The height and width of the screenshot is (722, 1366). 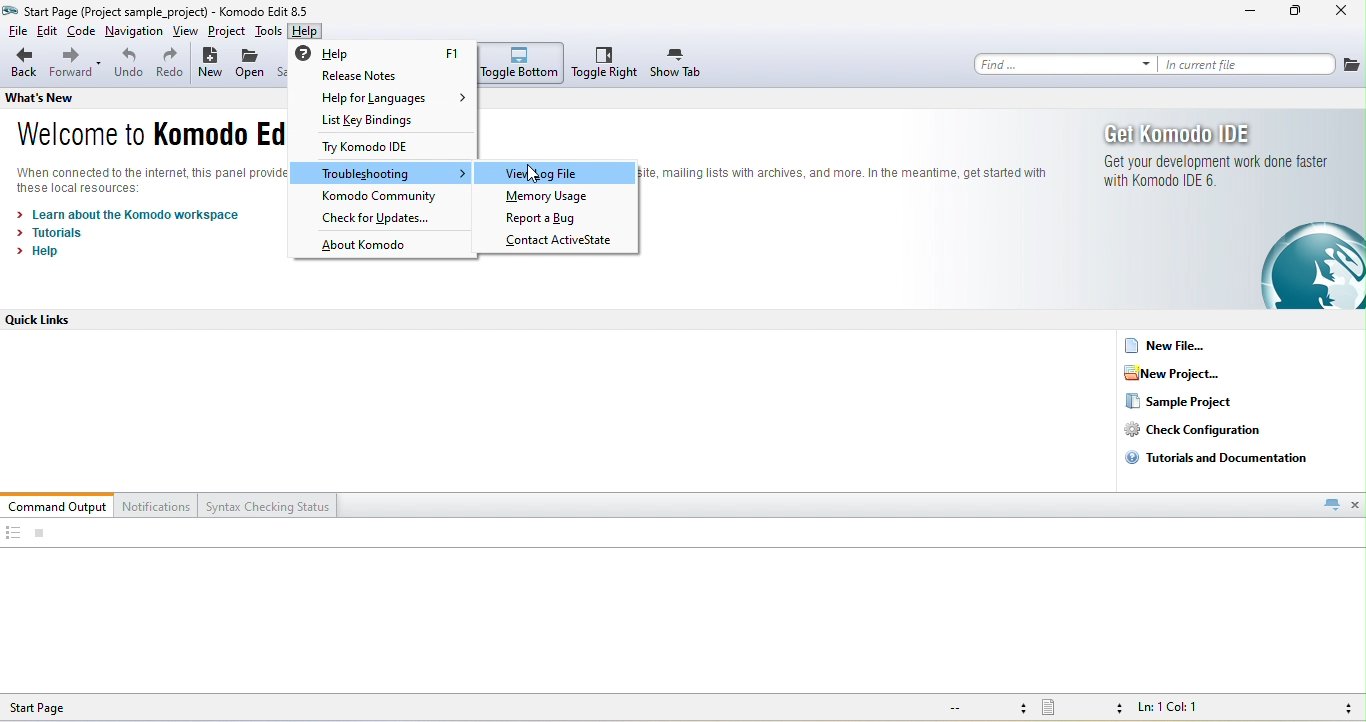 What do you see at coordinates (142, 137) in the screenshot?
I see `welcome to komodo edit` at bounding box center [142, 137].